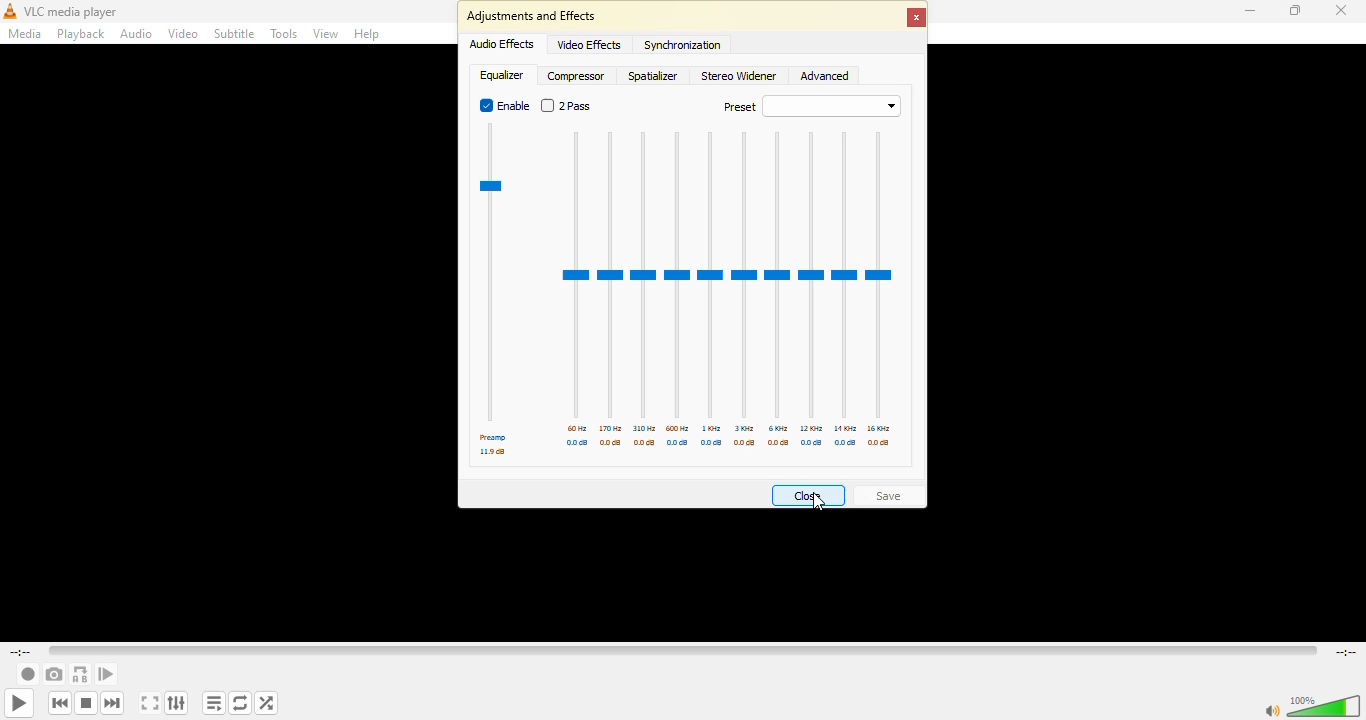 Image resolution: width=1366 pixels, height=720 pixels. What do you see at coordinates (176, 703) in the screenshot?
I see `show extended settings` at bounding box center [176, 703].